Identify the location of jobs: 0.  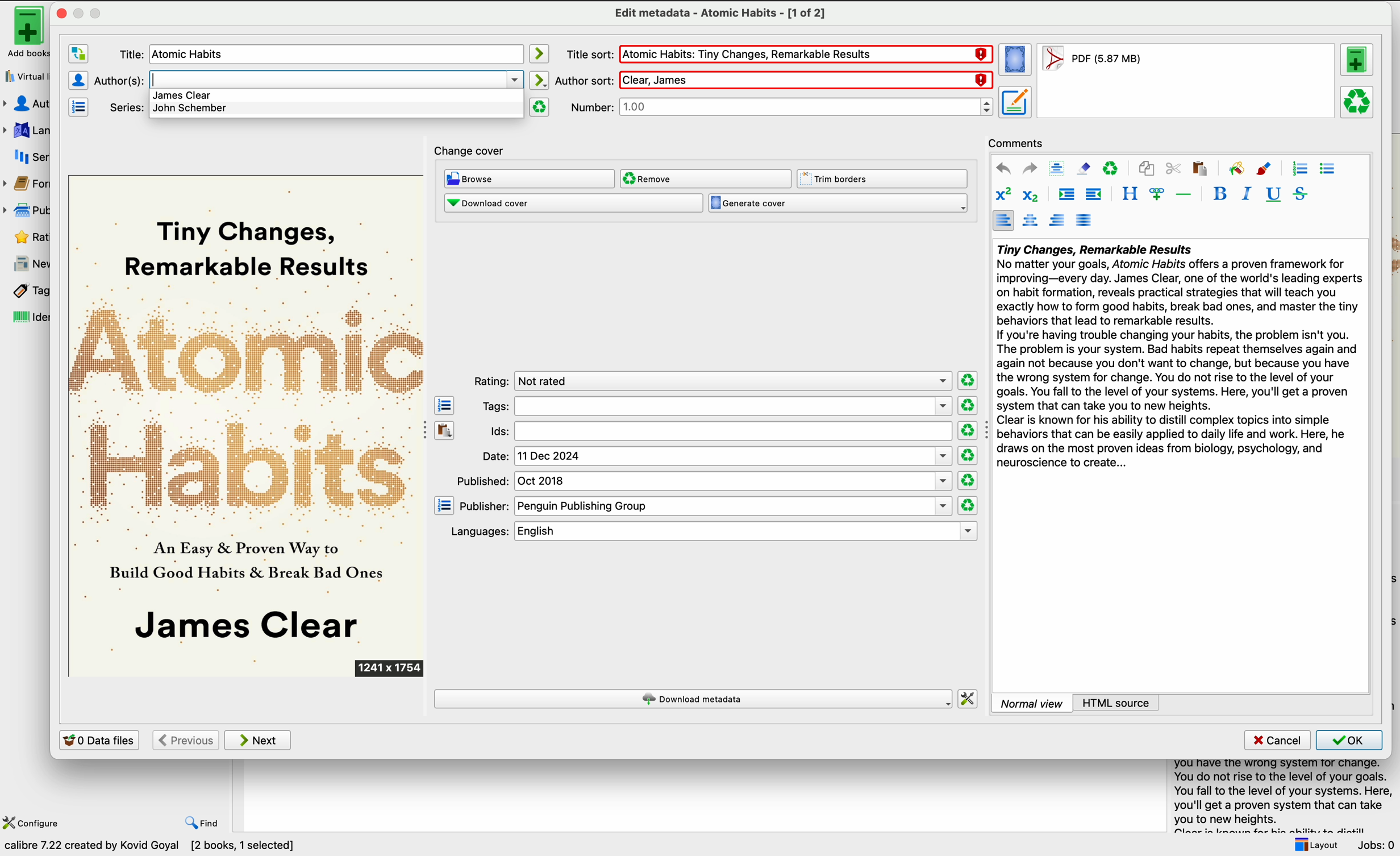
(1377, 845).